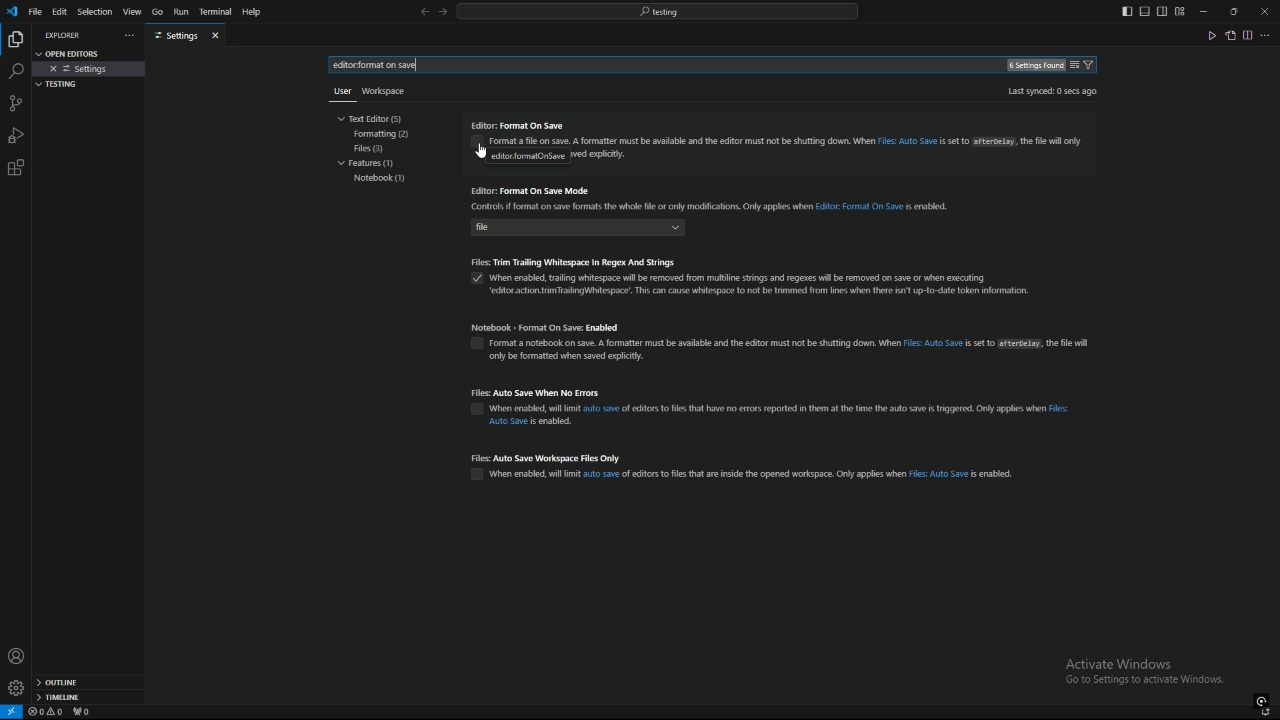  What do you see at coordinates (1152, 673) in the screenshot?
I see `Activate windows go to settings to activate windows` at bounding box center [1152, 673].